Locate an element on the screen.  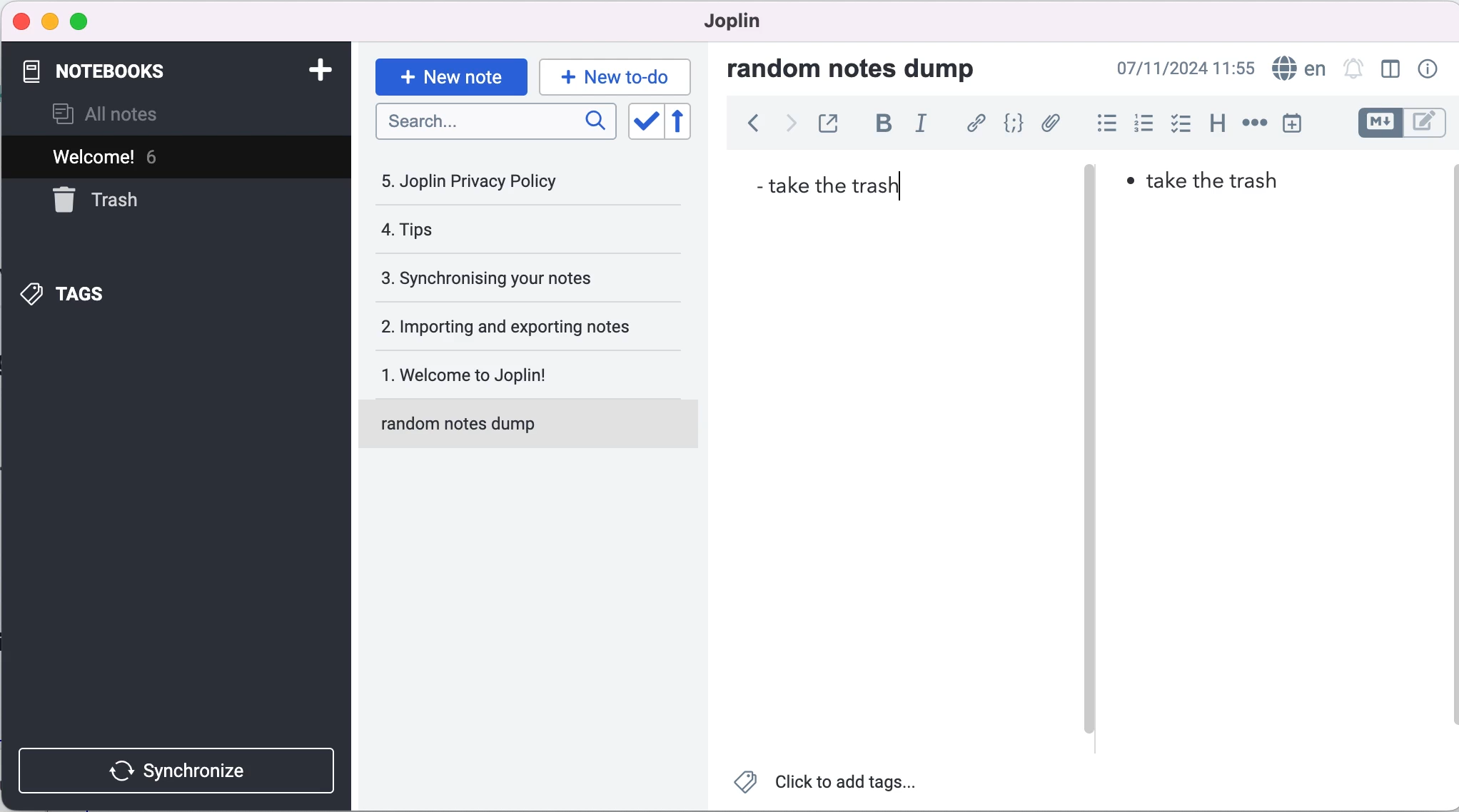
new note is located at coordinates (450, 75).